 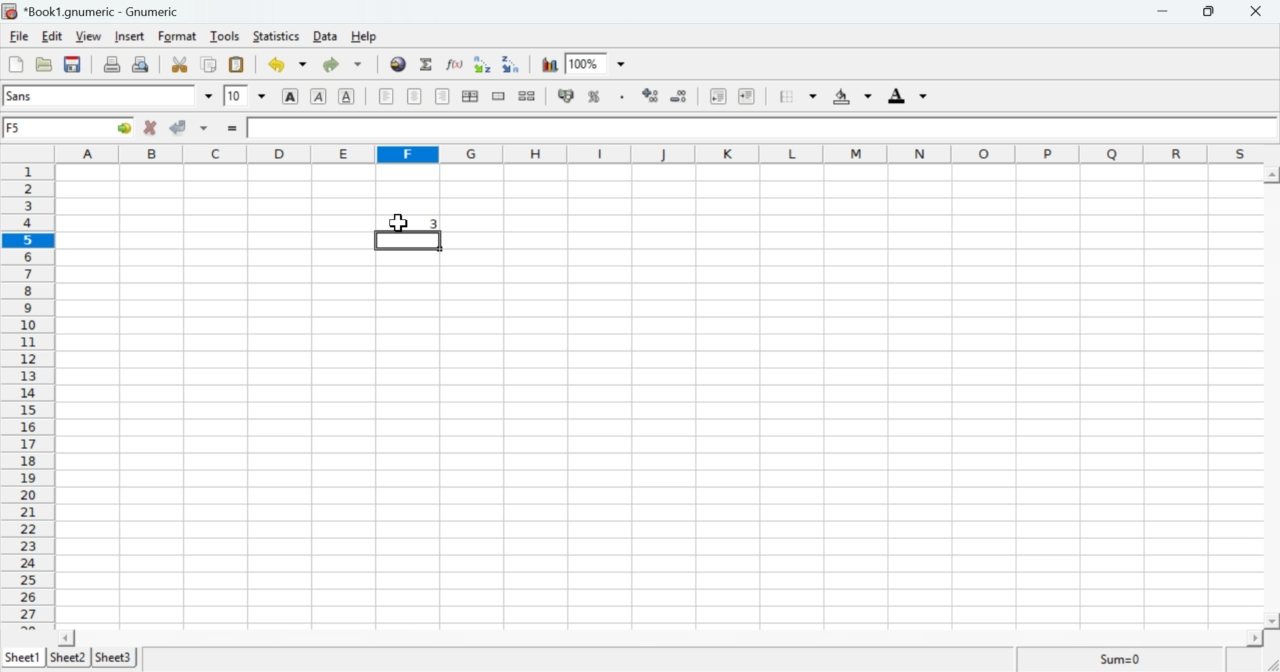 What do you see at coordinates (405, 241) in the screenshot?
I see `selected cell` at bounding box center [405, 241].